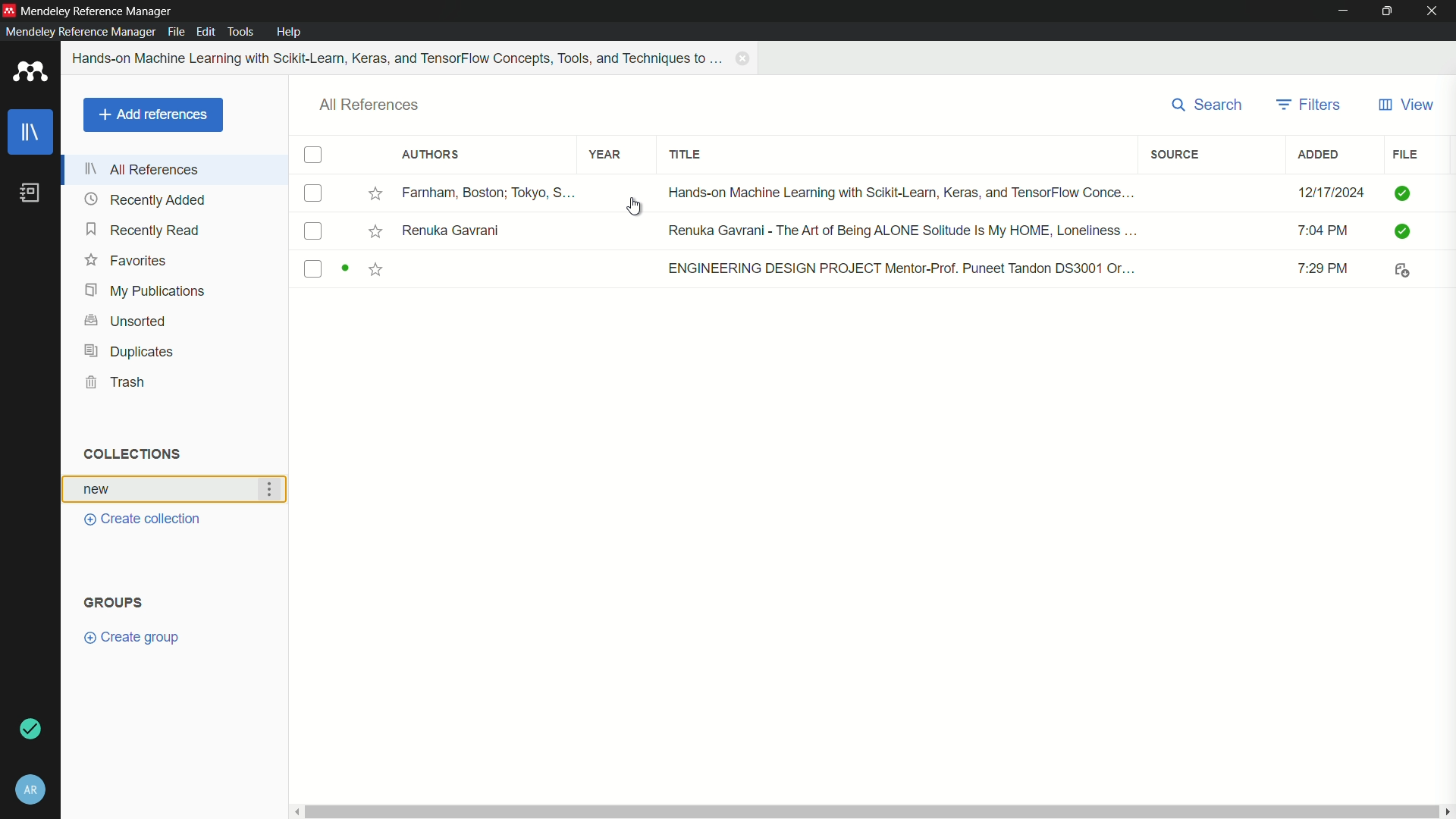 Image resolution: width=1456 pixels, height=819 pixels. I want to click on app name, so click(98, 11).